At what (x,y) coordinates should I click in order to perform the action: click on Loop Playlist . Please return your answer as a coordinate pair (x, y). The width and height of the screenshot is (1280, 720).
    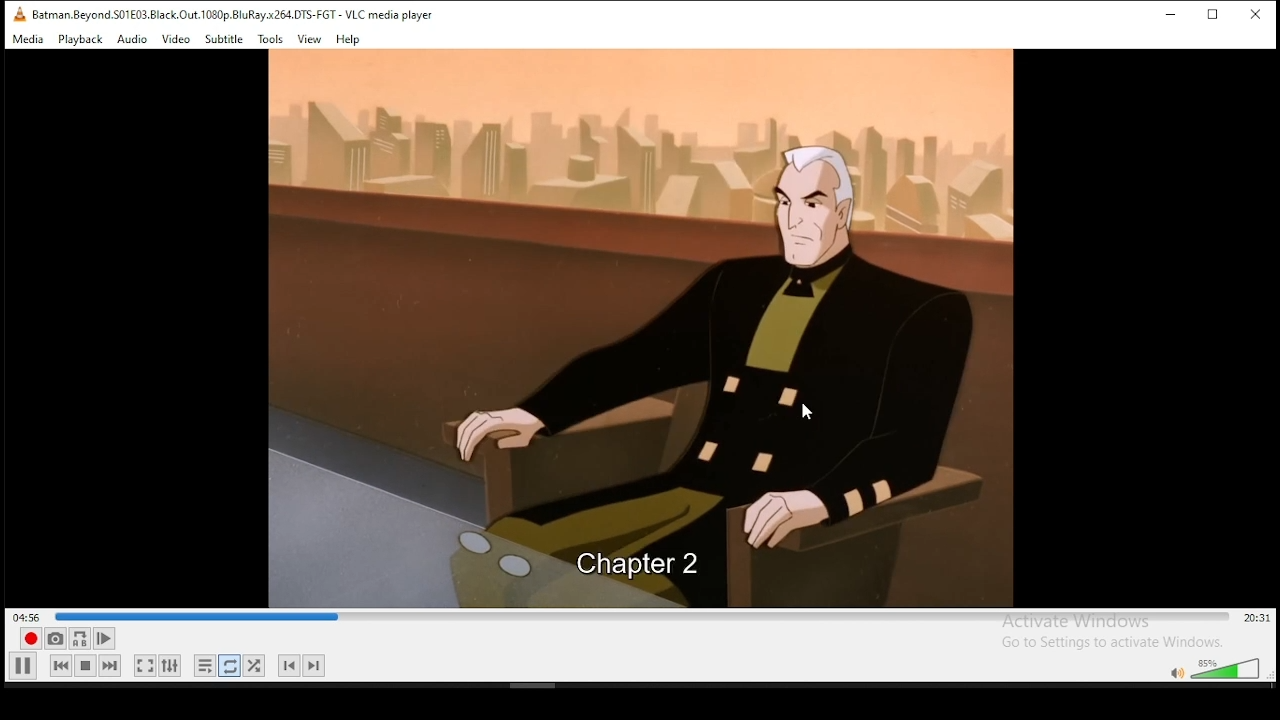
    Looking at the image, I should click on (206, 668).